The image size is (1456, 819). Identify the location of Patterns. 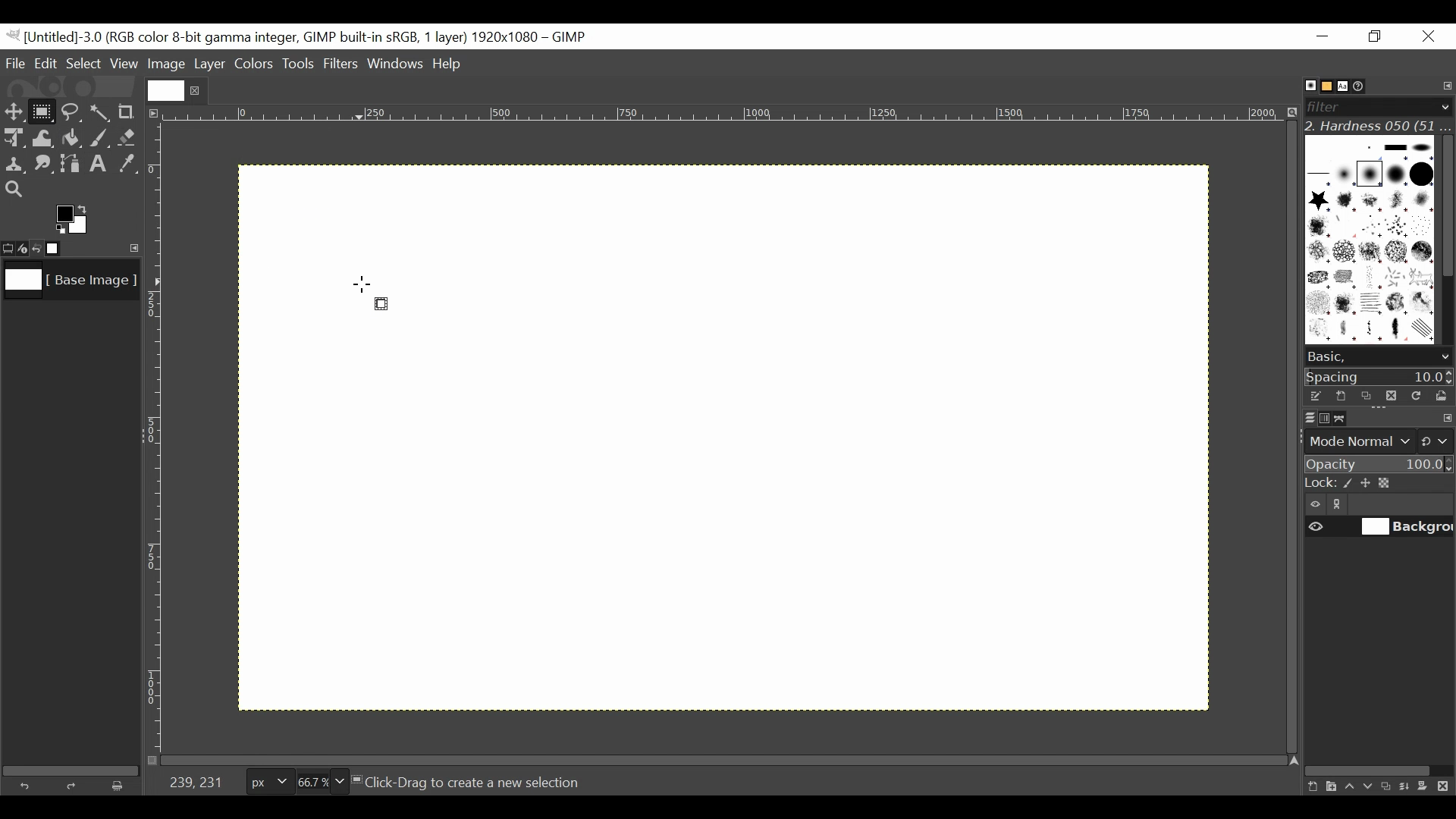
(1367, 243).